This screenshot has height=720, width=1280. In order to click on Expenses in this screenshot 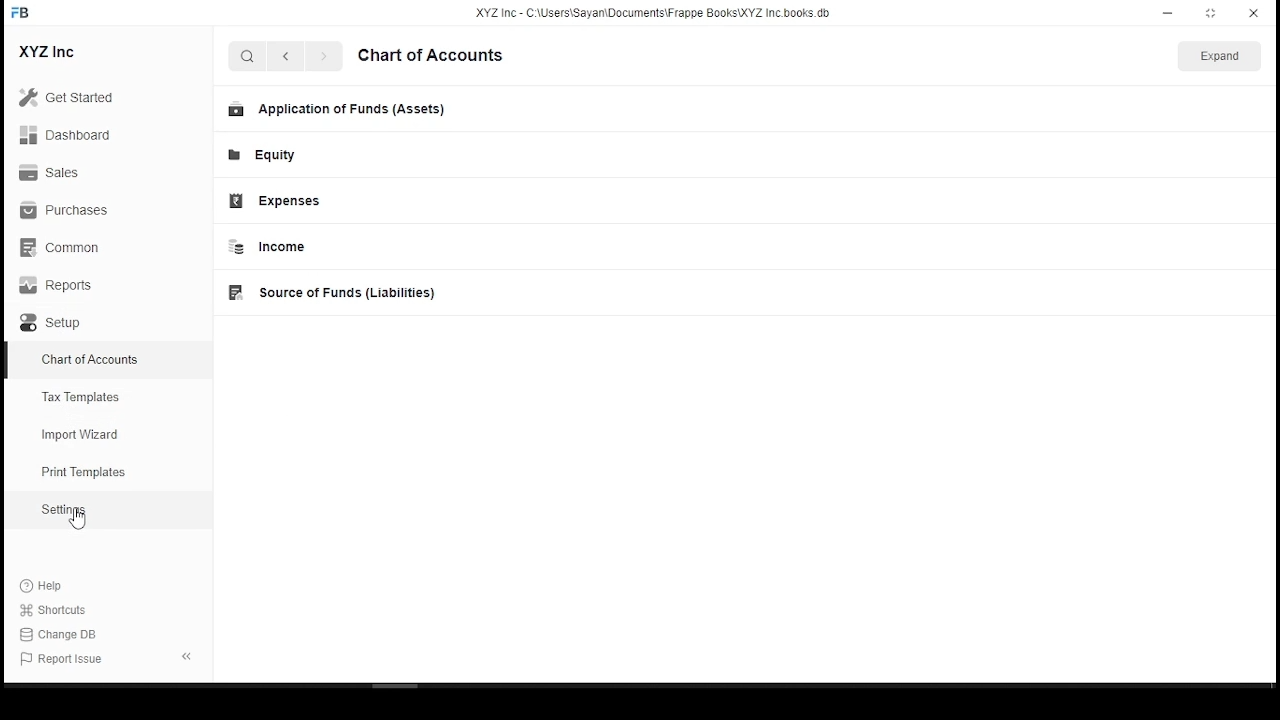, I will do `click(283, 202)`.